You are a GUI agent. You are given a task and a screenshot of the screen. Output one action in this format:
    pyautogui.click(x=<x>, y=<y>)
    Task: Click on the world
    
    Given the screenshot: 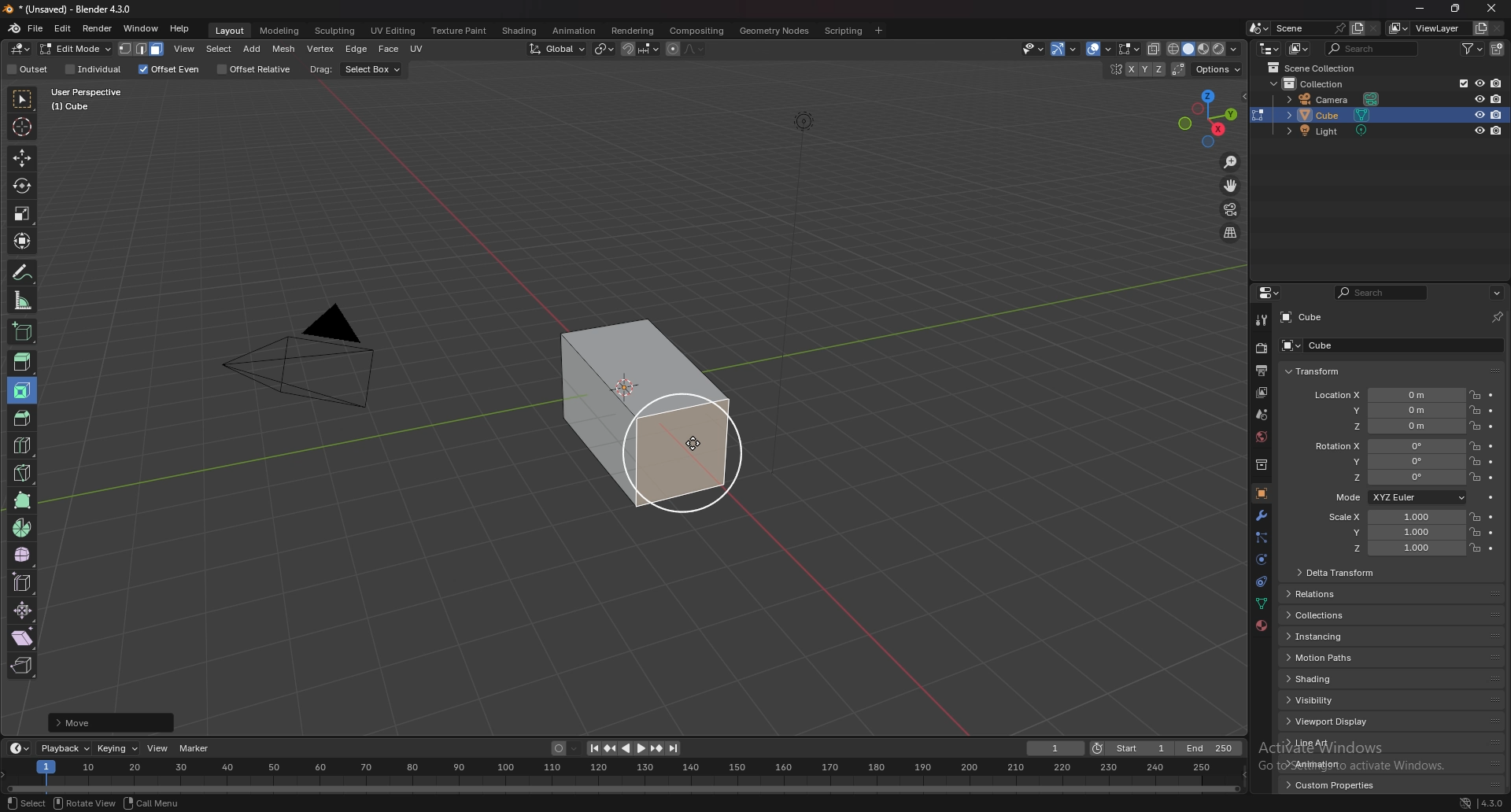 What is the action you would take?
    pyautogui.click(x=1261, y=437)
    